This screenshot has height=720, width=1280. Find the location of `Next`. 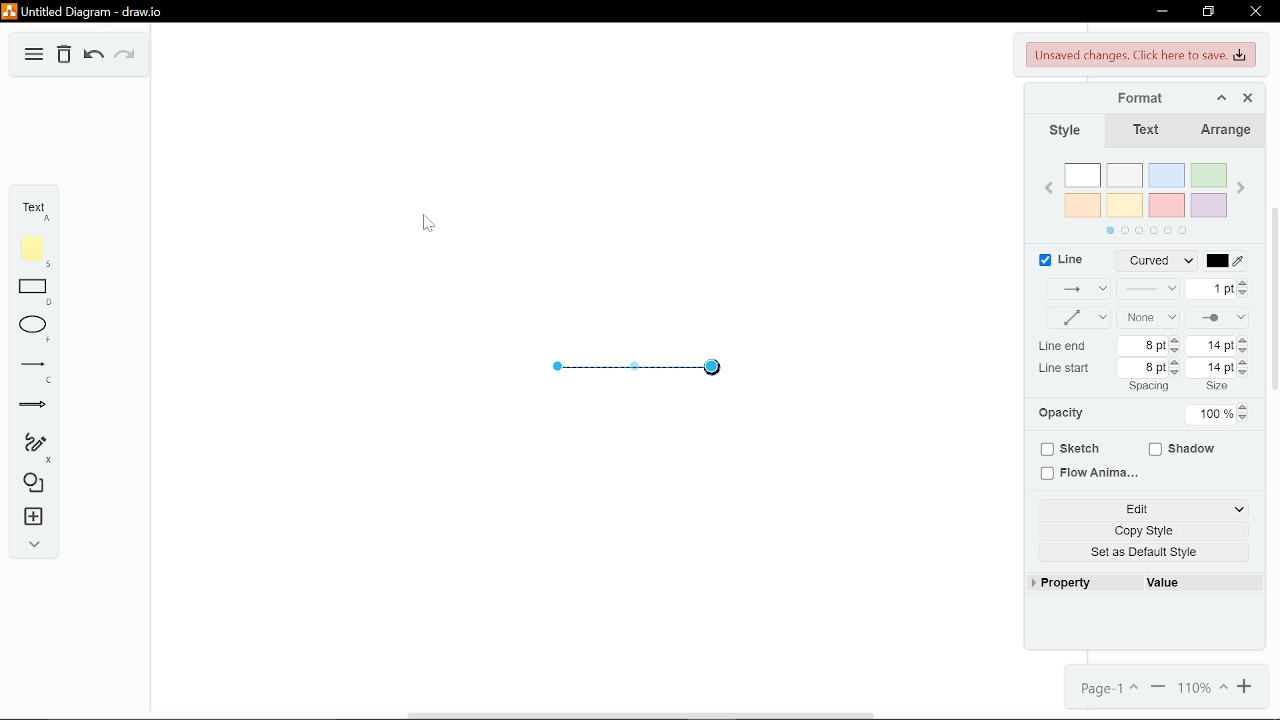

Next is located at coordinates (1241, 189).